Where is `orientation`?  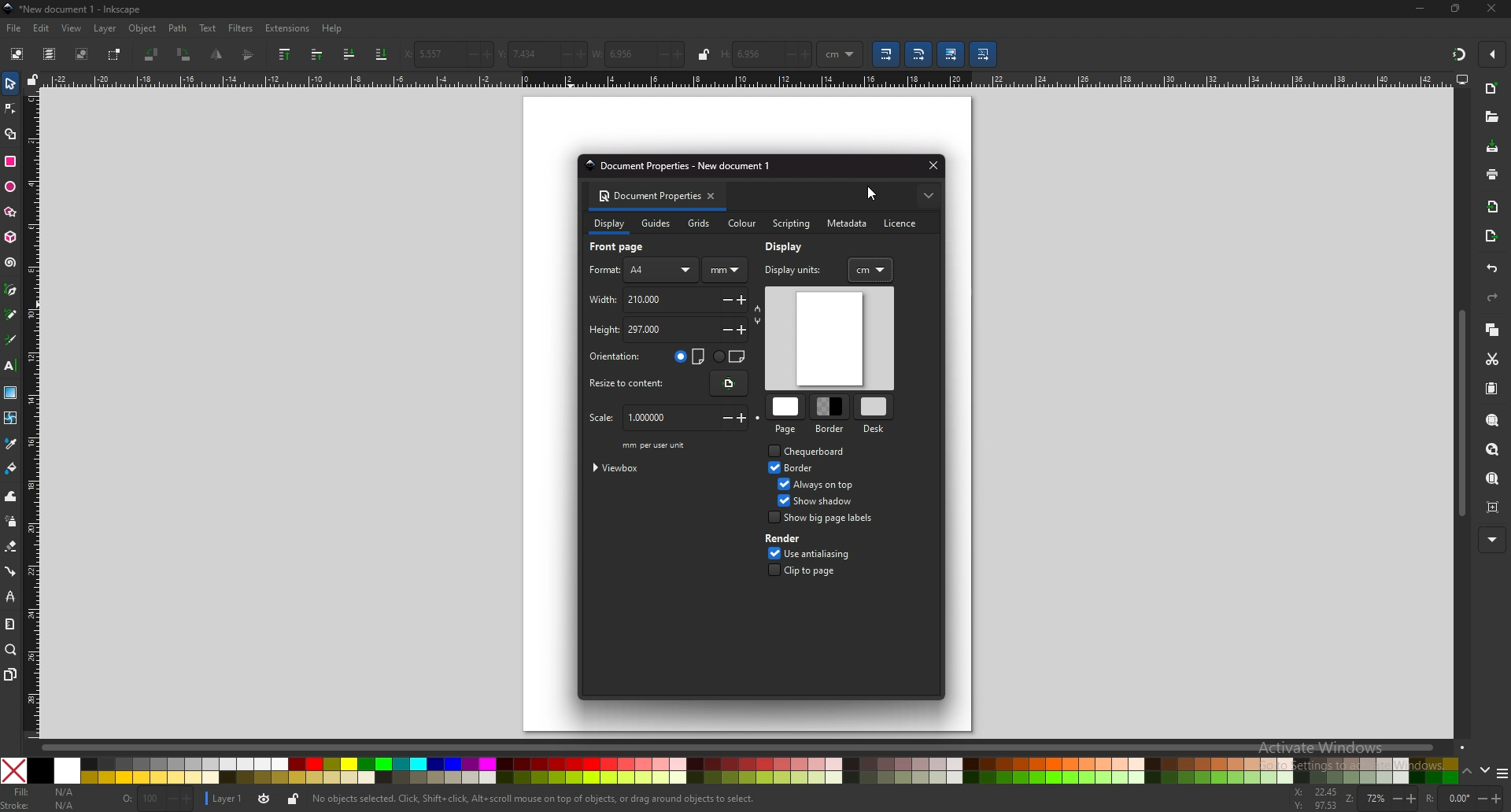 orientation is located at coordinates (619, 357).